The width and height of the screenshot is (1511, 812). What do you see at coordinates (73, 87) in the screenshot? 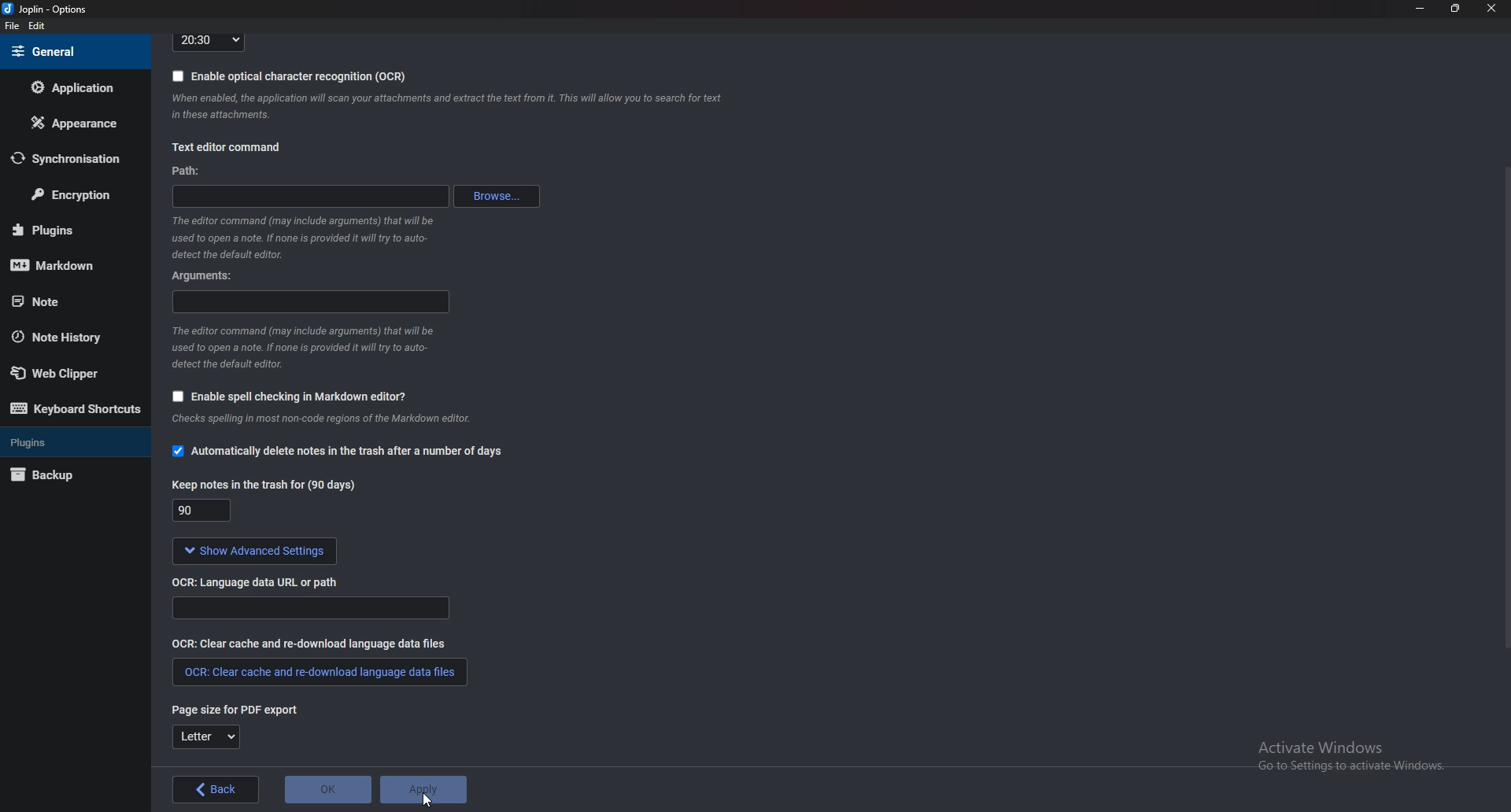
I see `Application` at bounding box center [73, 87].